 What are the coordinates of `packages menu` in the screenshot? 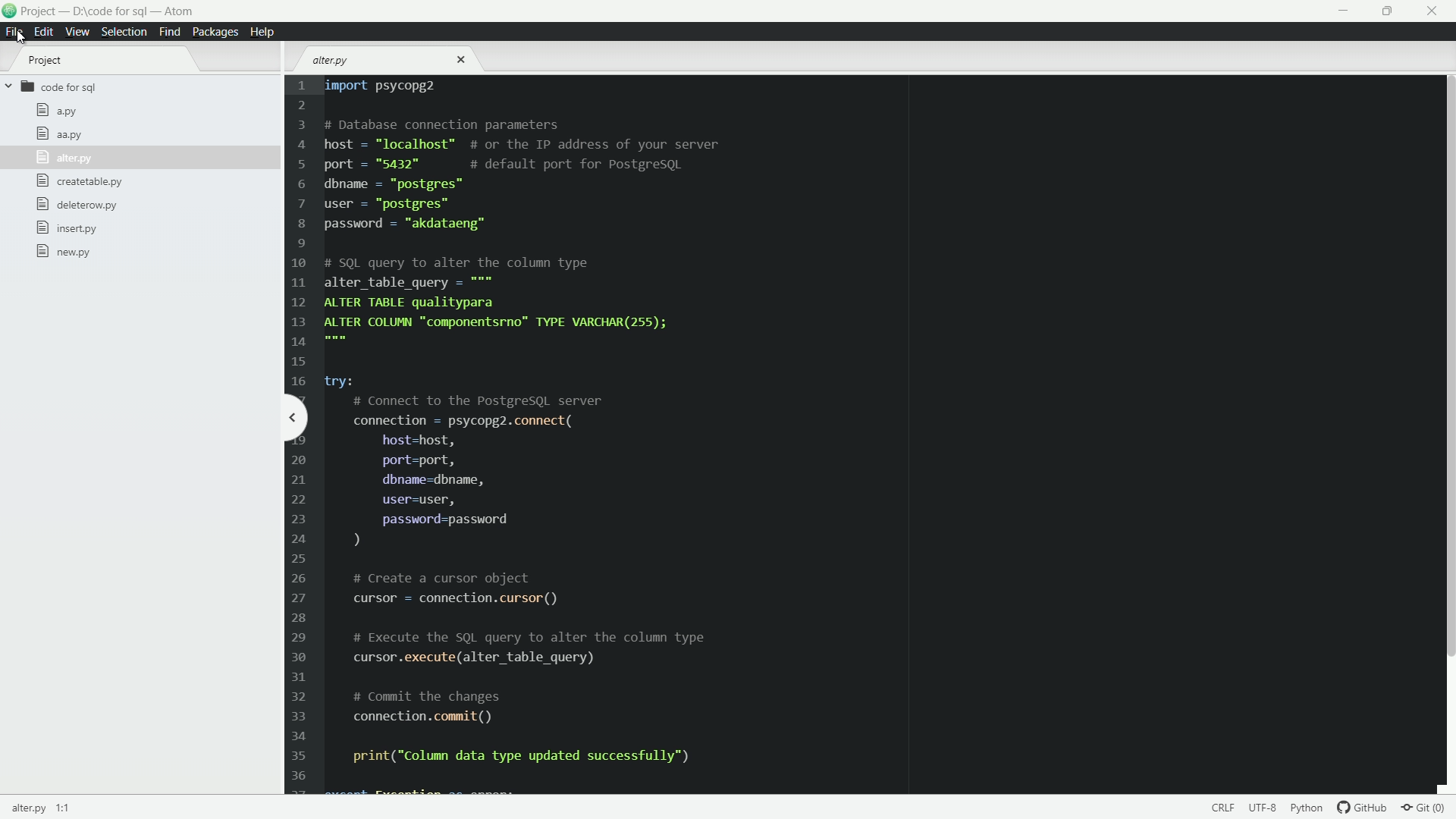 It's located at (217, 33).